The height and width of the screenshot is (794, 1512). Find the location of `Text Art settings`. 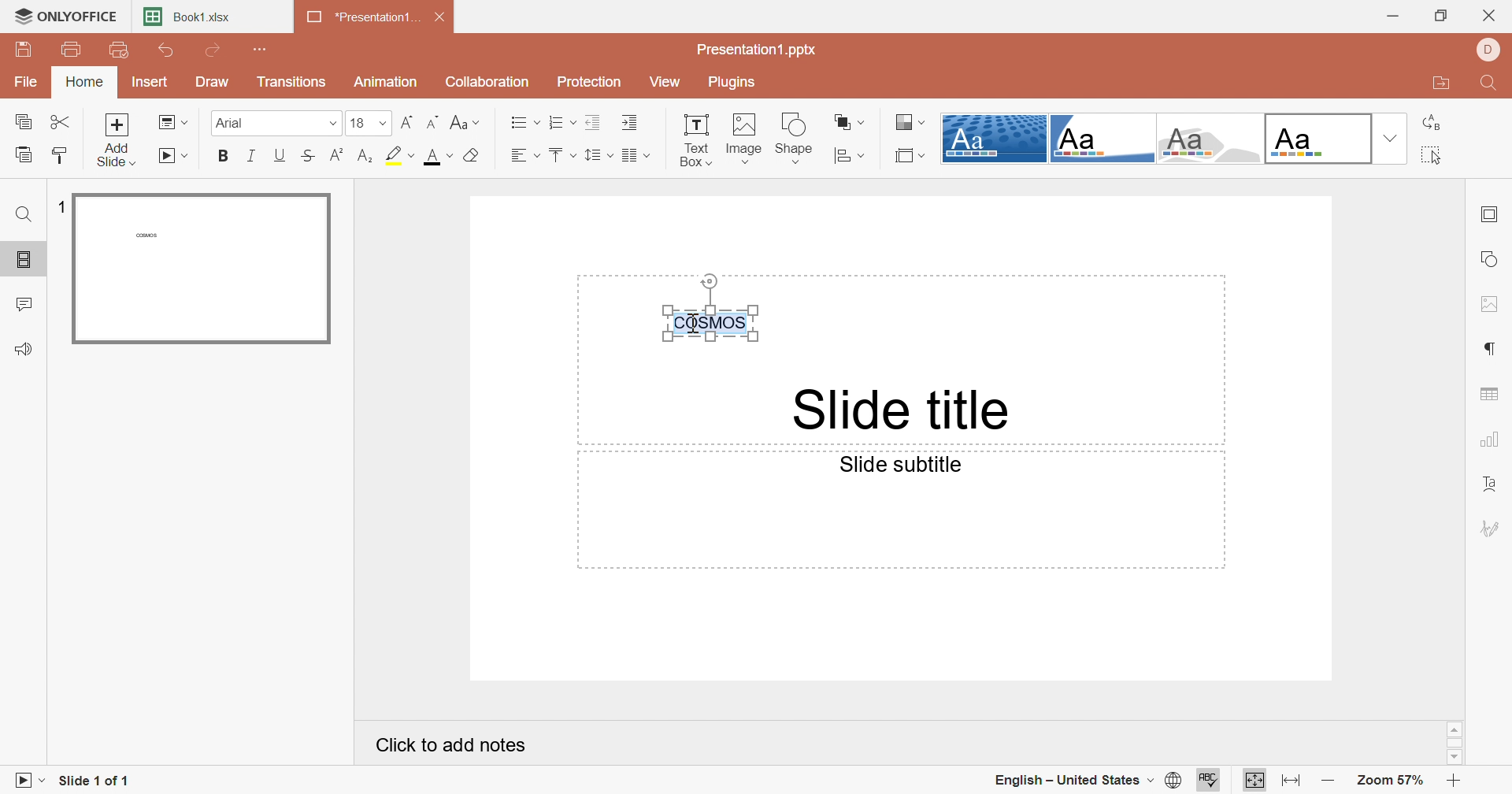

Text Art settings is located at coordinates (1492, 484).